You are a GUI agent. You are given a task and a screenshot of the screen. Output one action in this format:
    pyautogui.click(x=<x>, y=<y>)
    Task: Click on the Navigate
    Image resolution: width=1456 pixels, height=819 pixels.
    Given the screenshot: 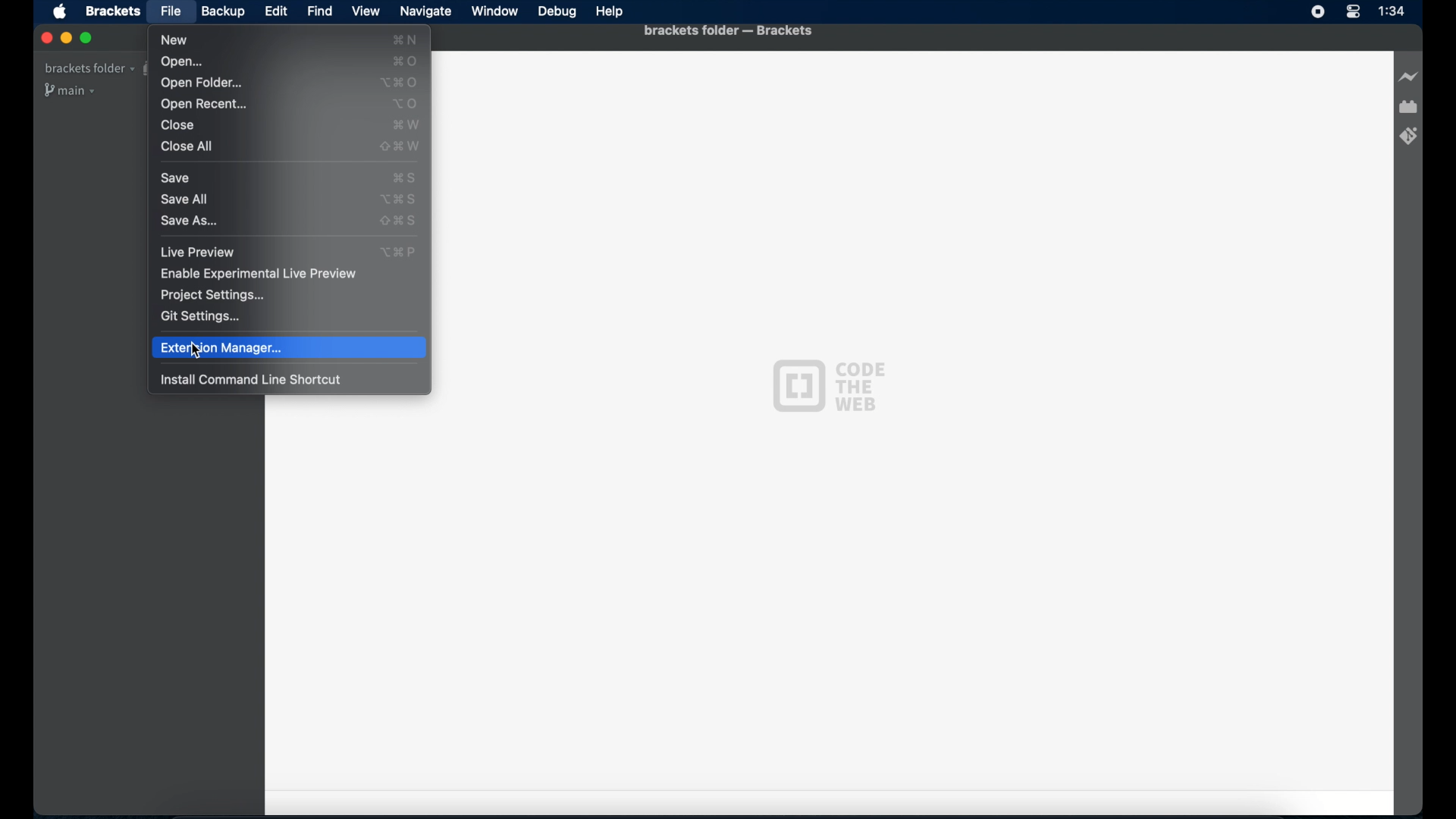 What is the action you would take?
    pyautogui.click(x=425, y=12)
    